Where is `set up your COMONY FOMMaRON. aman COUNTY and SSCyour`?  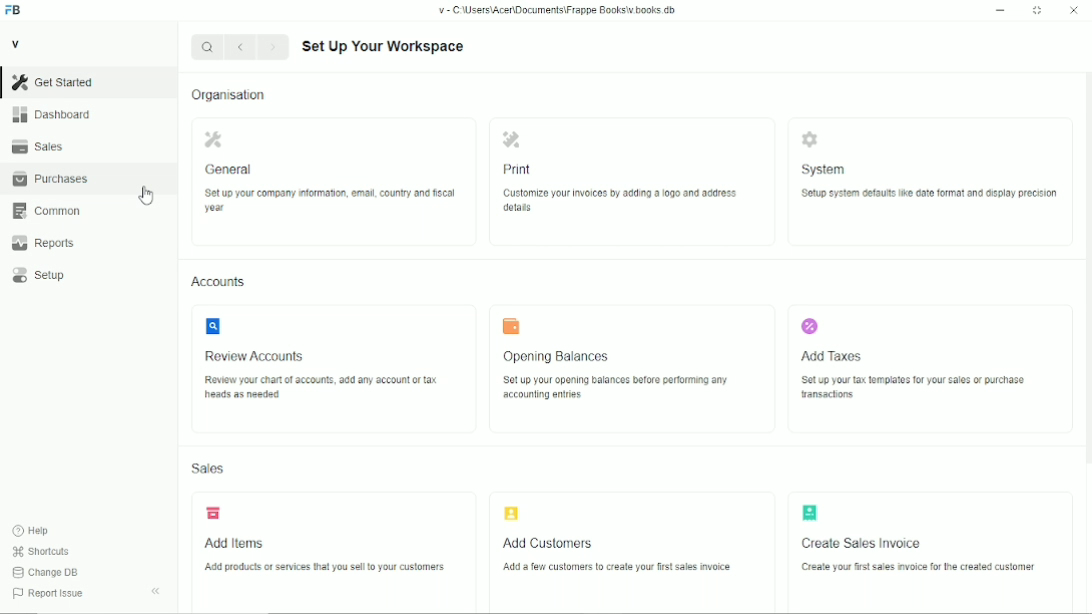
set up your COMONY FOMMaRON. aman COUNTY and SSCyour is located at coordinates (326, 200).